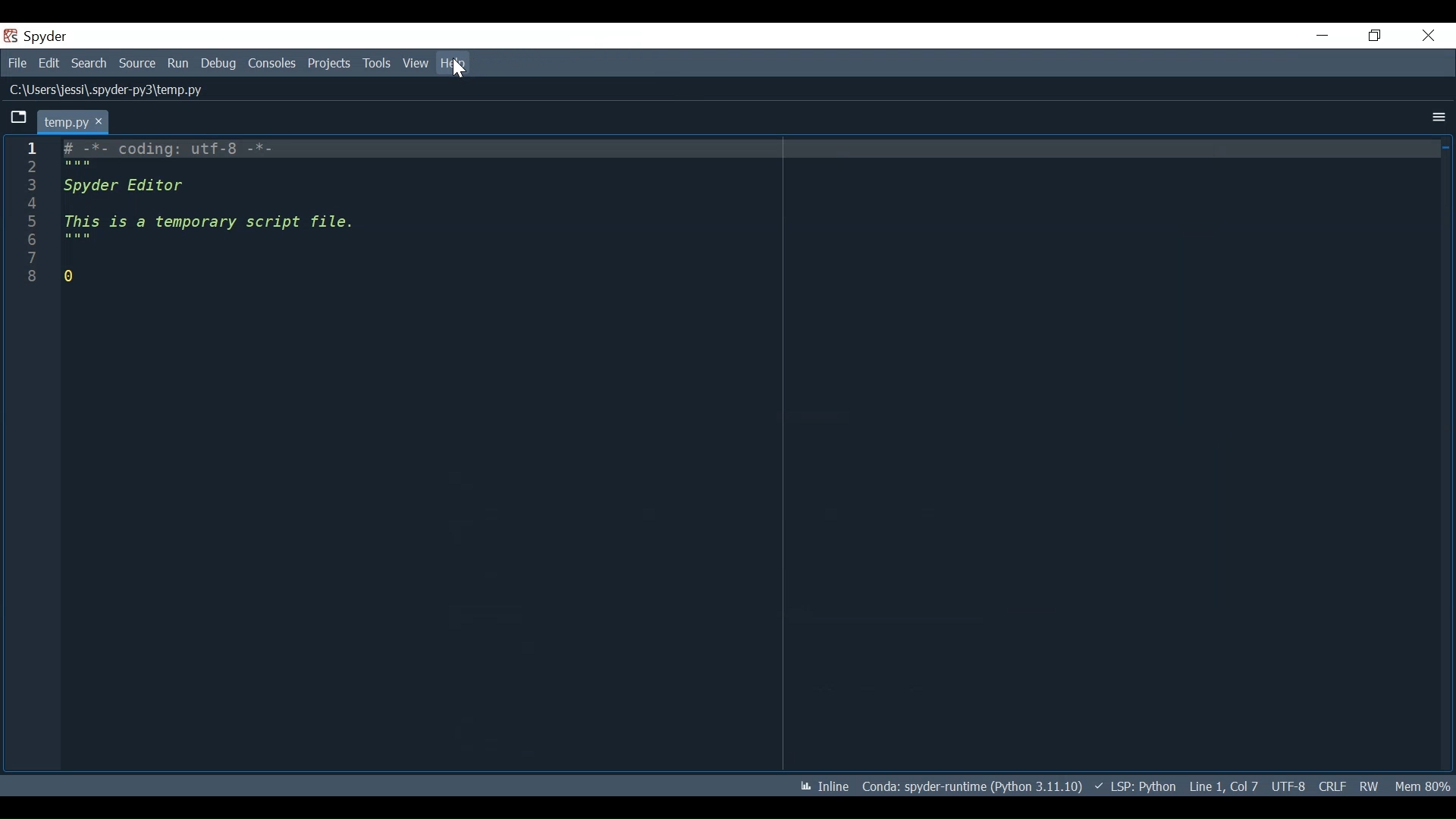  What do you see at coordinates (49, 62) in the screenshot?
I see `Edit` at bounding box center [49, 62].